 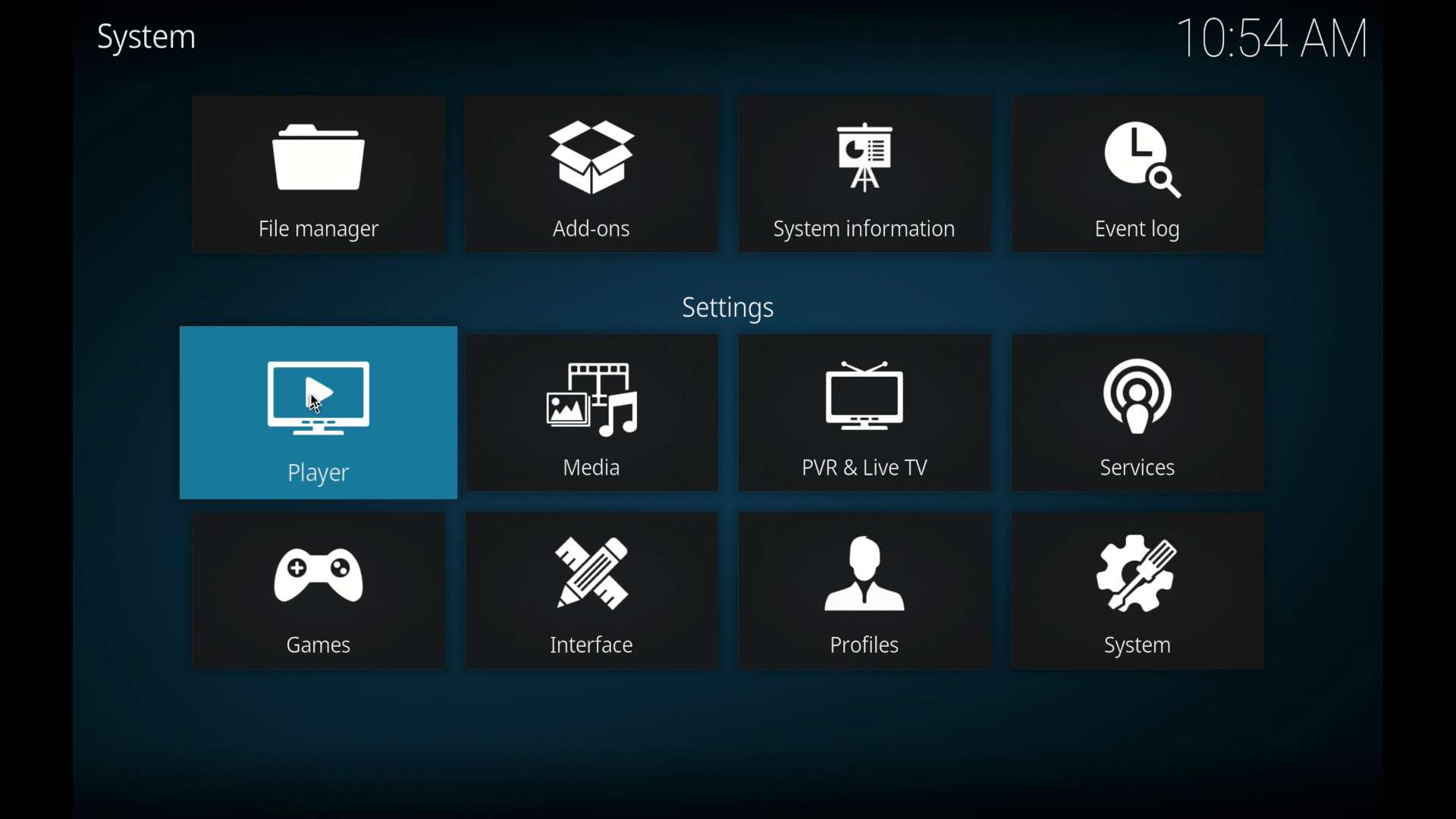 I want to click on media, so click(x=595, y=413).